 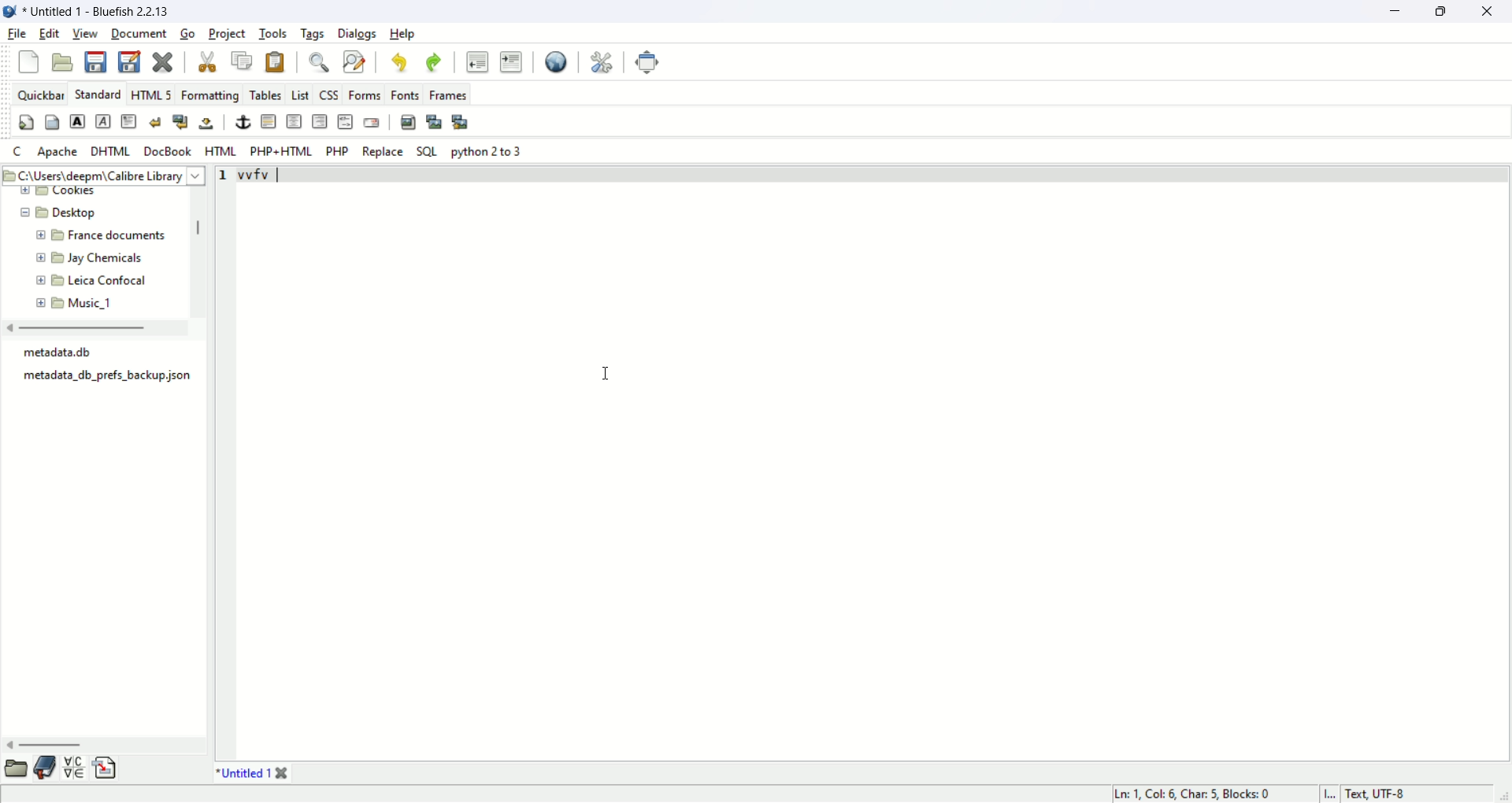 What do you see at coordinates (42, 96) in the screenshot?
I see `quickbar` at bounding box center [42, 96].